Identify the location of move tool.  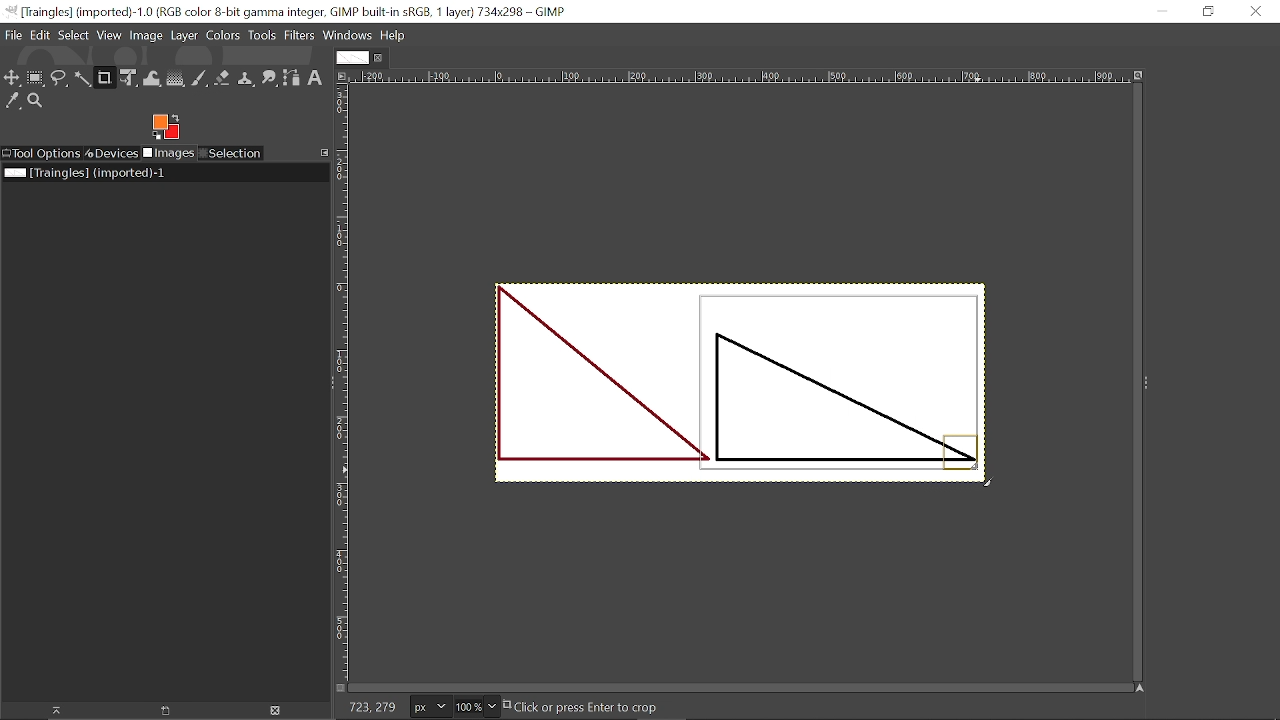
(13, 78).